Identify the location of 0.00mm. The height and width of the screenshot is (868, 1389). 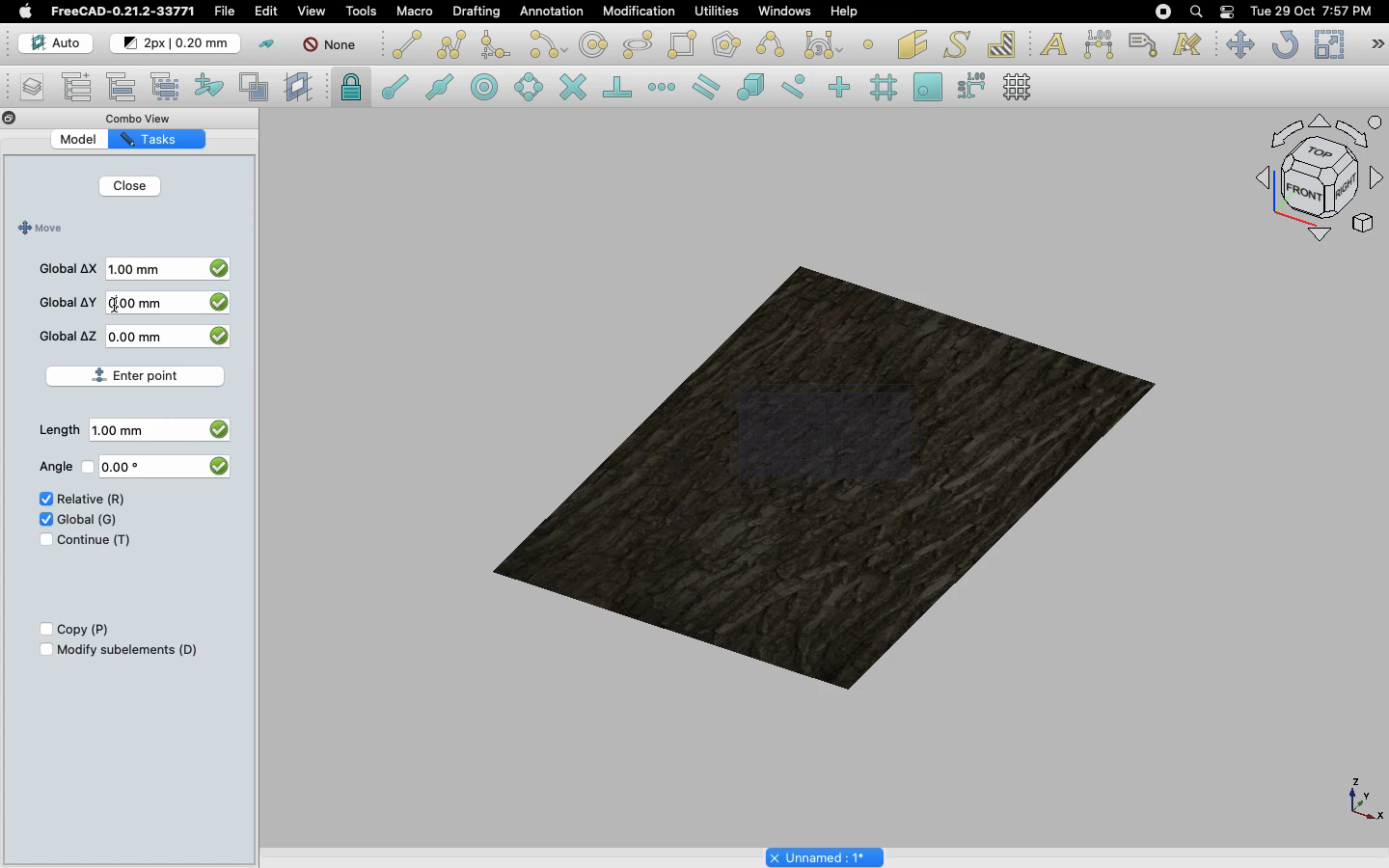
(150, 267).